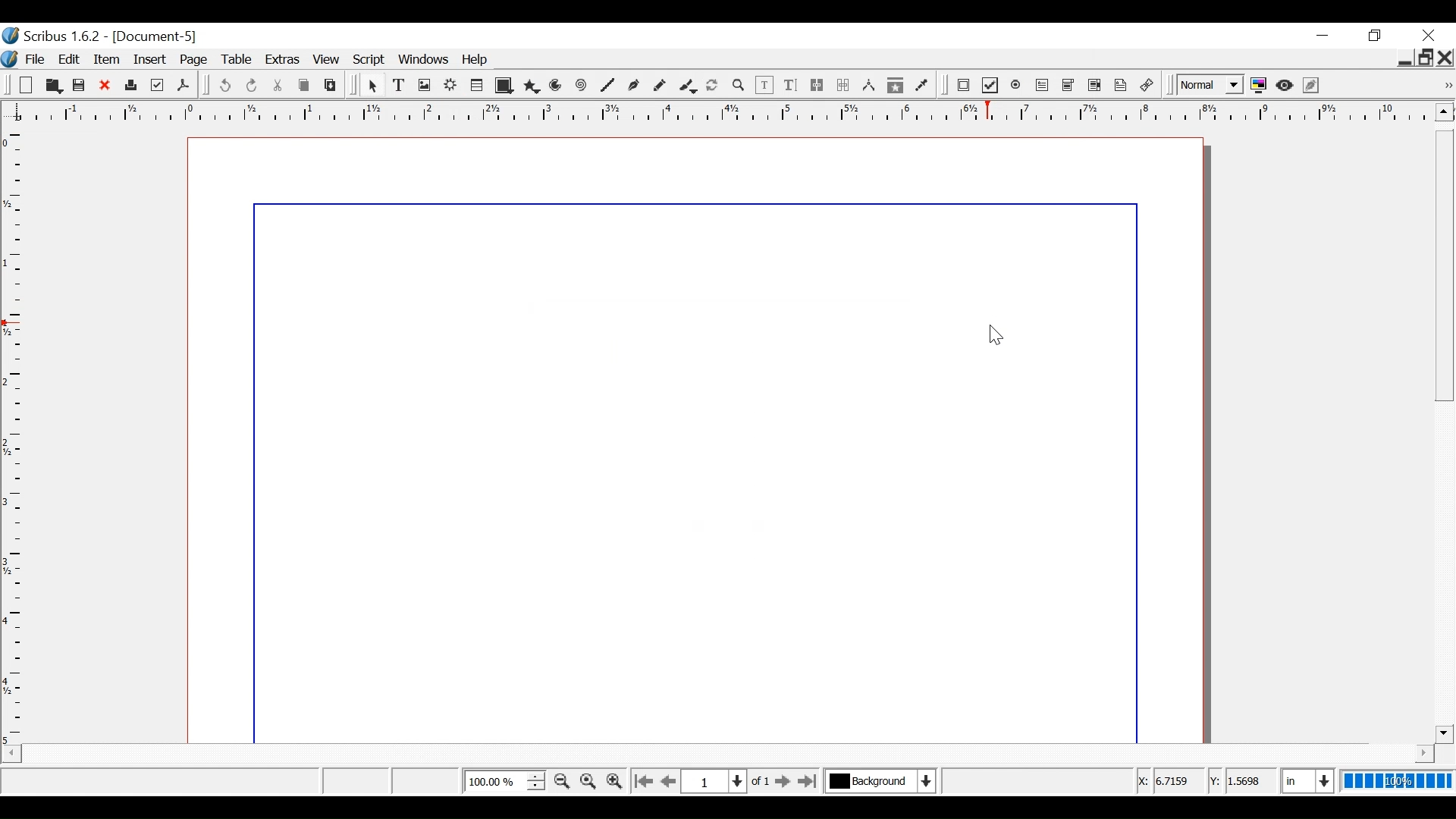 This screenshot has height=819, width=1456. What do you see at coordinates (670, 781) in the screenshot?
I see `Go to the previous page` at bounding box center [670, 781].